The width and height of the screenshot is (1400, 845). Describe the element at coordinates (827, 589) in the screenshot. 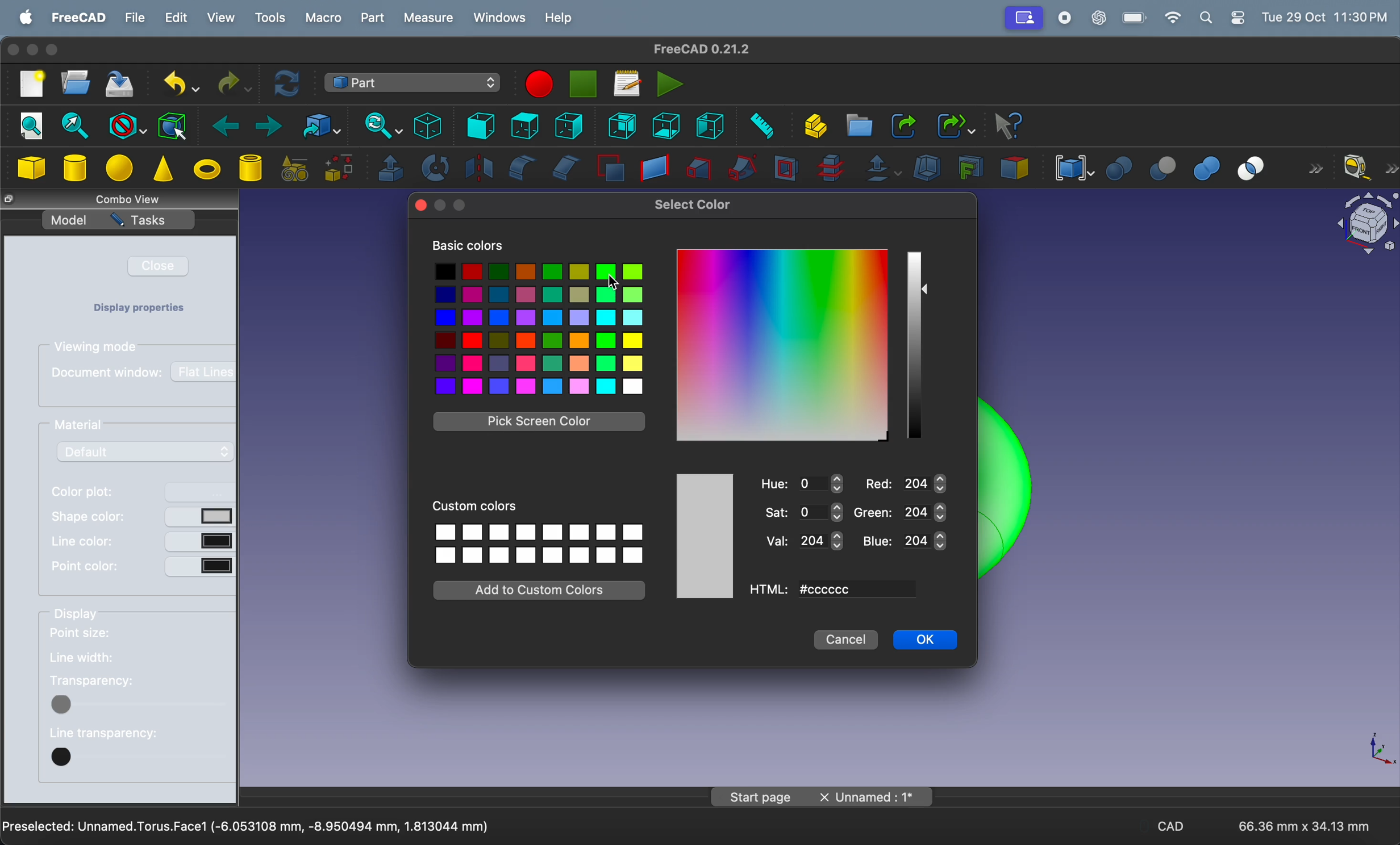

I see `ccccccc` at that location.